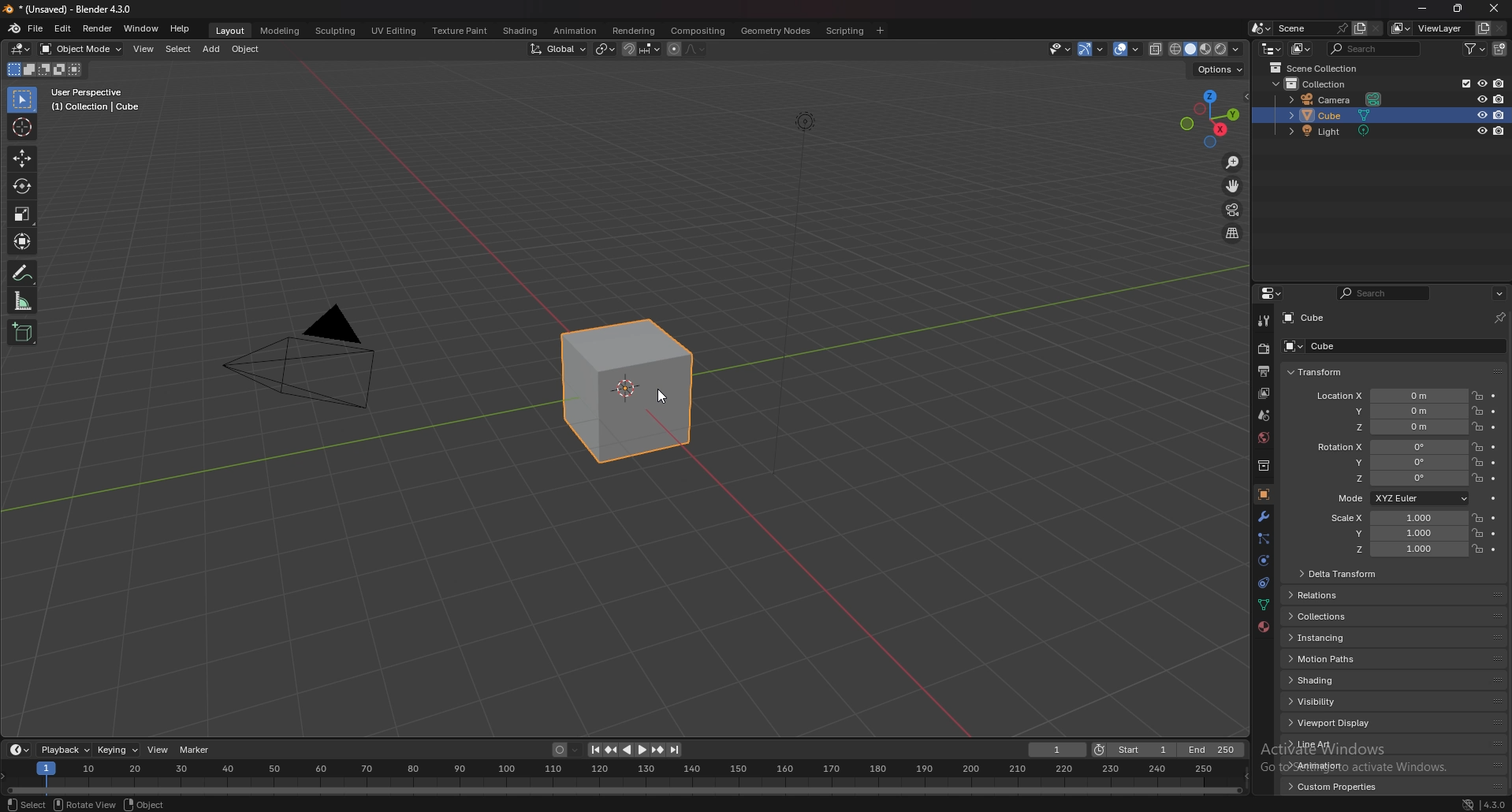  What do you see at coordinates (1349, 658) in the screenshot?
I see `motion paths` at bounding box center [1349, 658].